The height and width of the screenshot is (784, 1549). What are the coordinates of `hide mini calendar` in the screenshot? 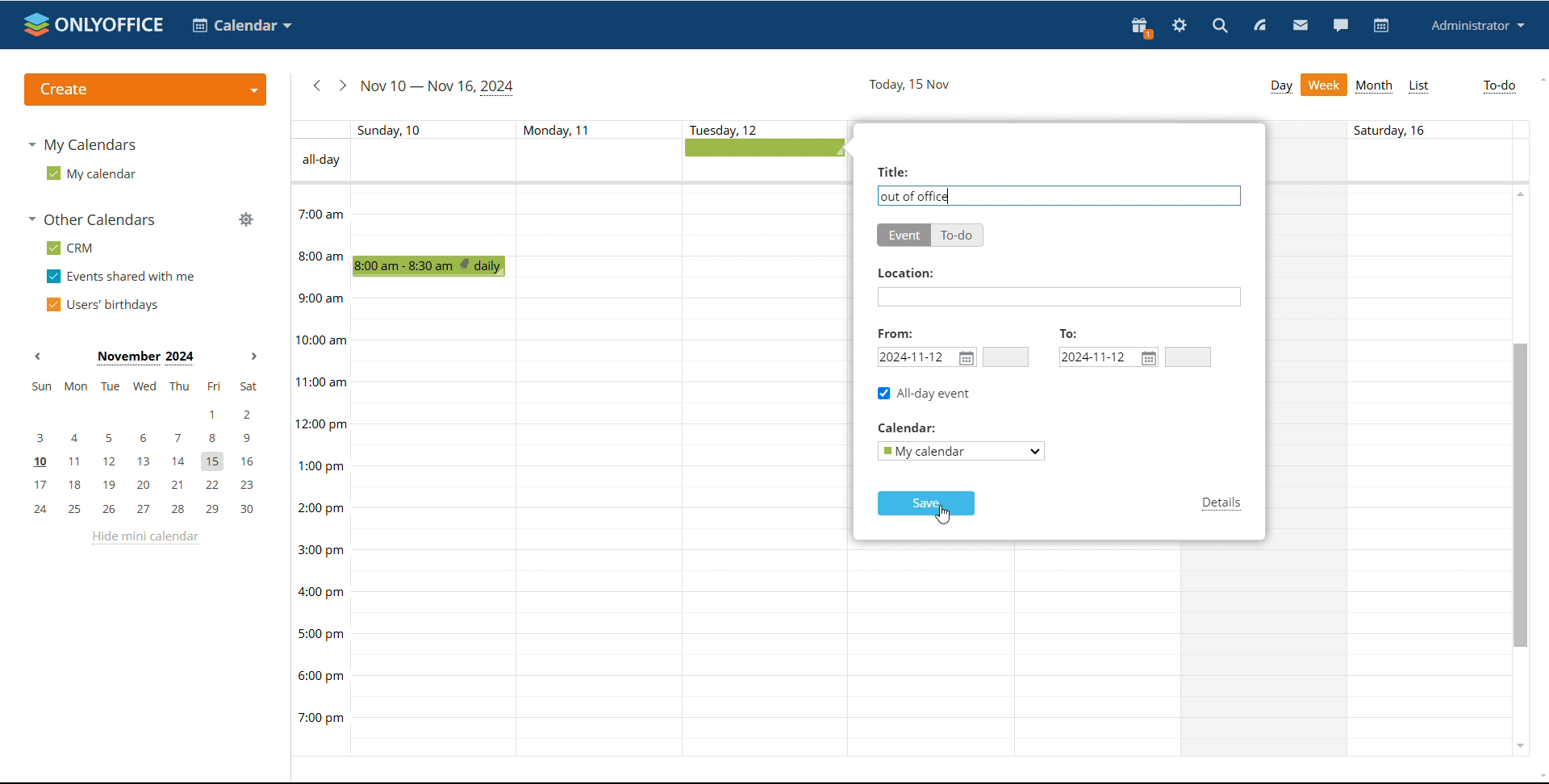 It's located at (145, 538).